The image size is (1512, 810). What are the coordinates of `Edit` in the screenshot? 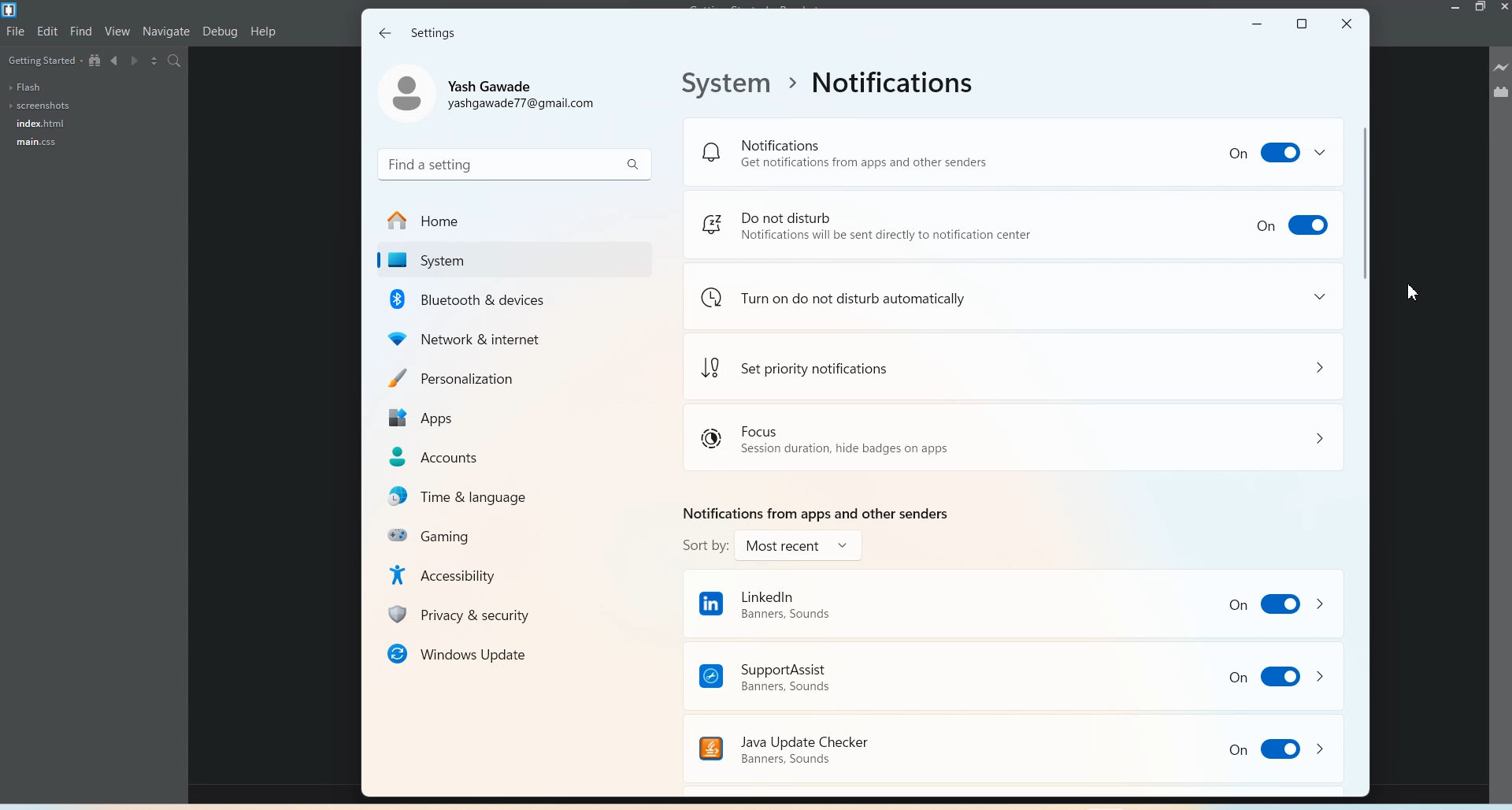 It's located at (47, 32).